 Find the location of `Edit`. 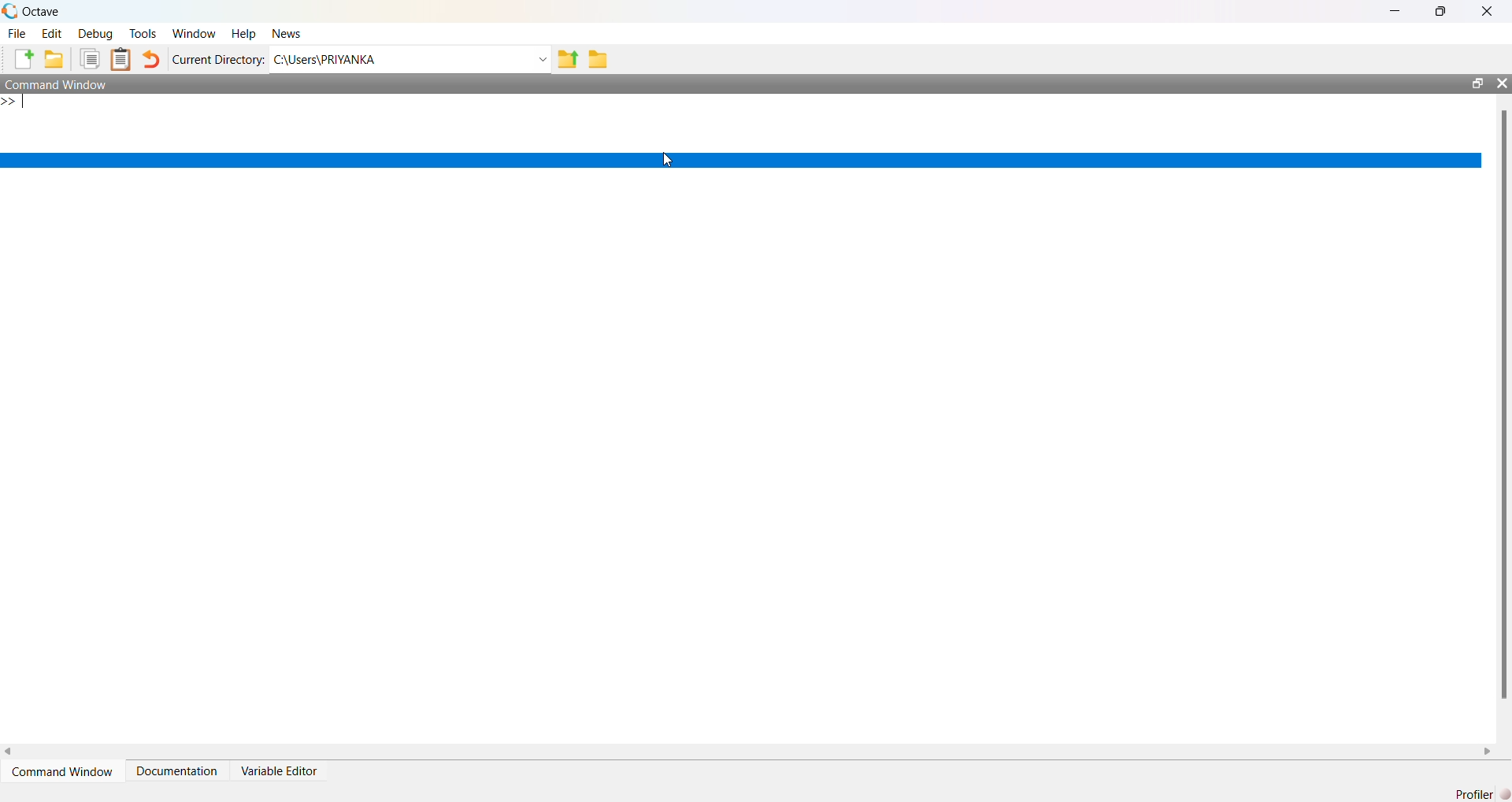

Edit is located at coordinates (52, 34).